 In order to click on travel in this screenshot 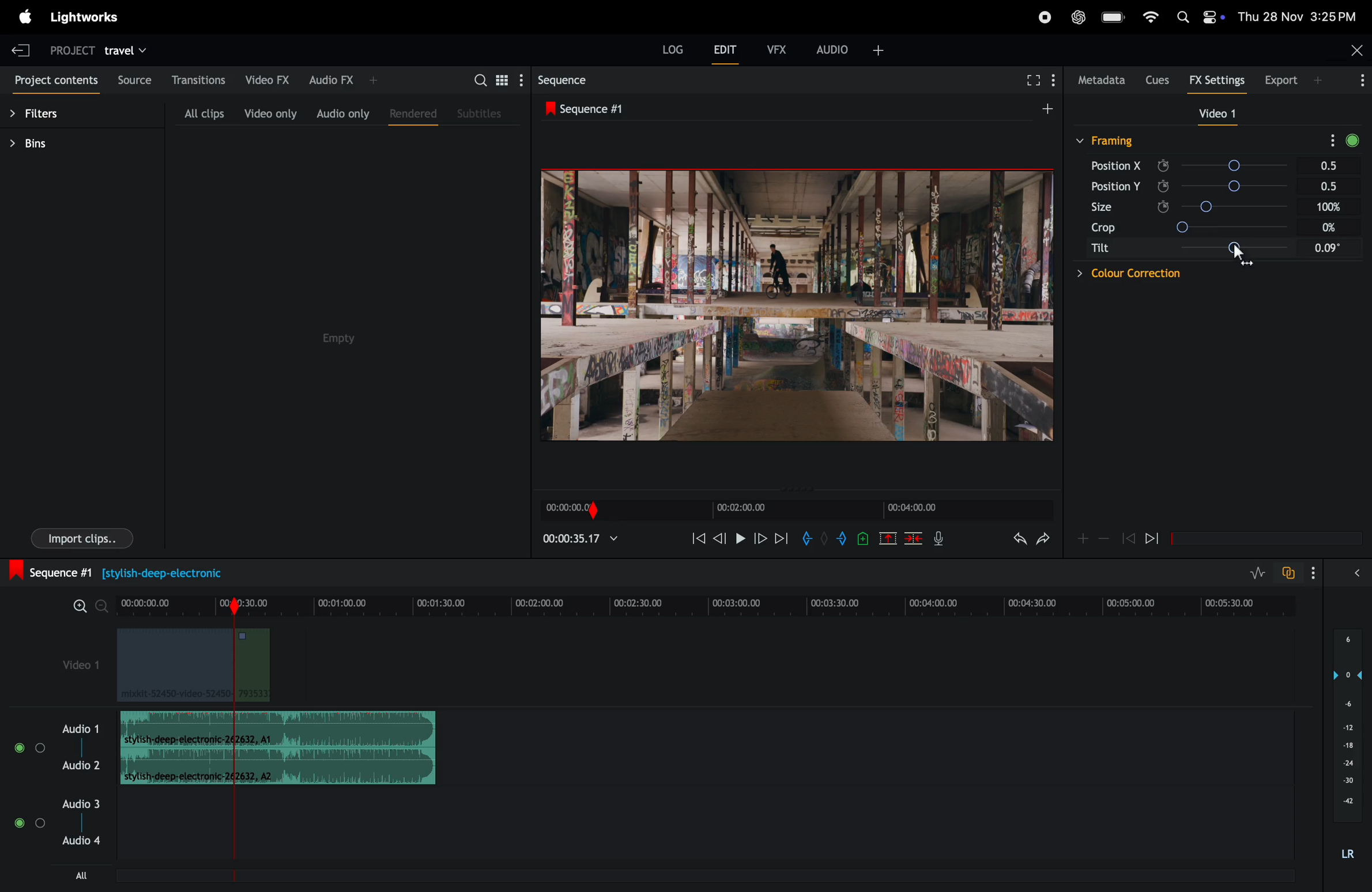, I will do `click(129, 48)`.